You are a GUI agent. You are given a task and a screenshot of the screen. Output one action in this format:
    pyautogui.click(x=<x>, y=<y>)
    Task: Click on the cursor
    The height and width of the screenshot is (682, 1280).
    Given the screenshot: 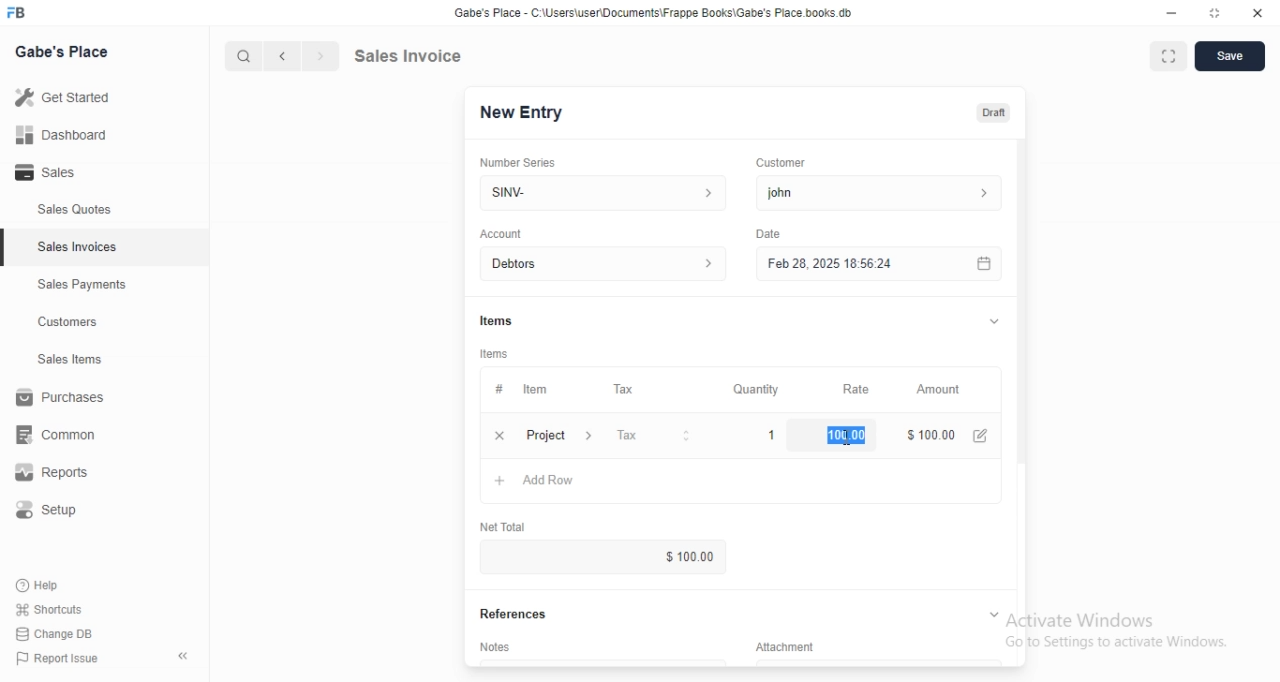 What is the action you would take?
    pyautogui.click(x=234, y=56)
    